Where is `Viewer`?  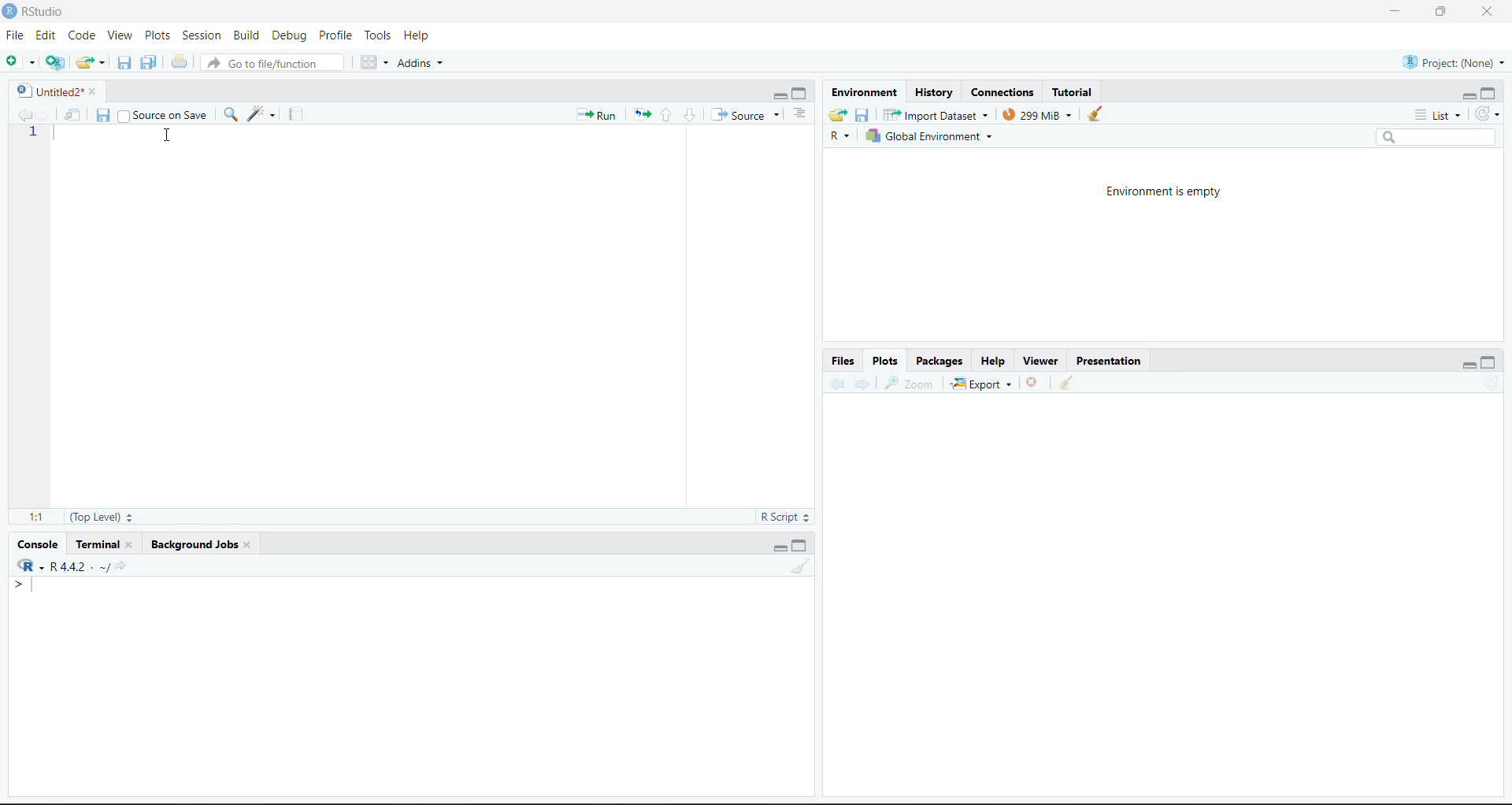 Viewer is located at coordinates (1043, 359).